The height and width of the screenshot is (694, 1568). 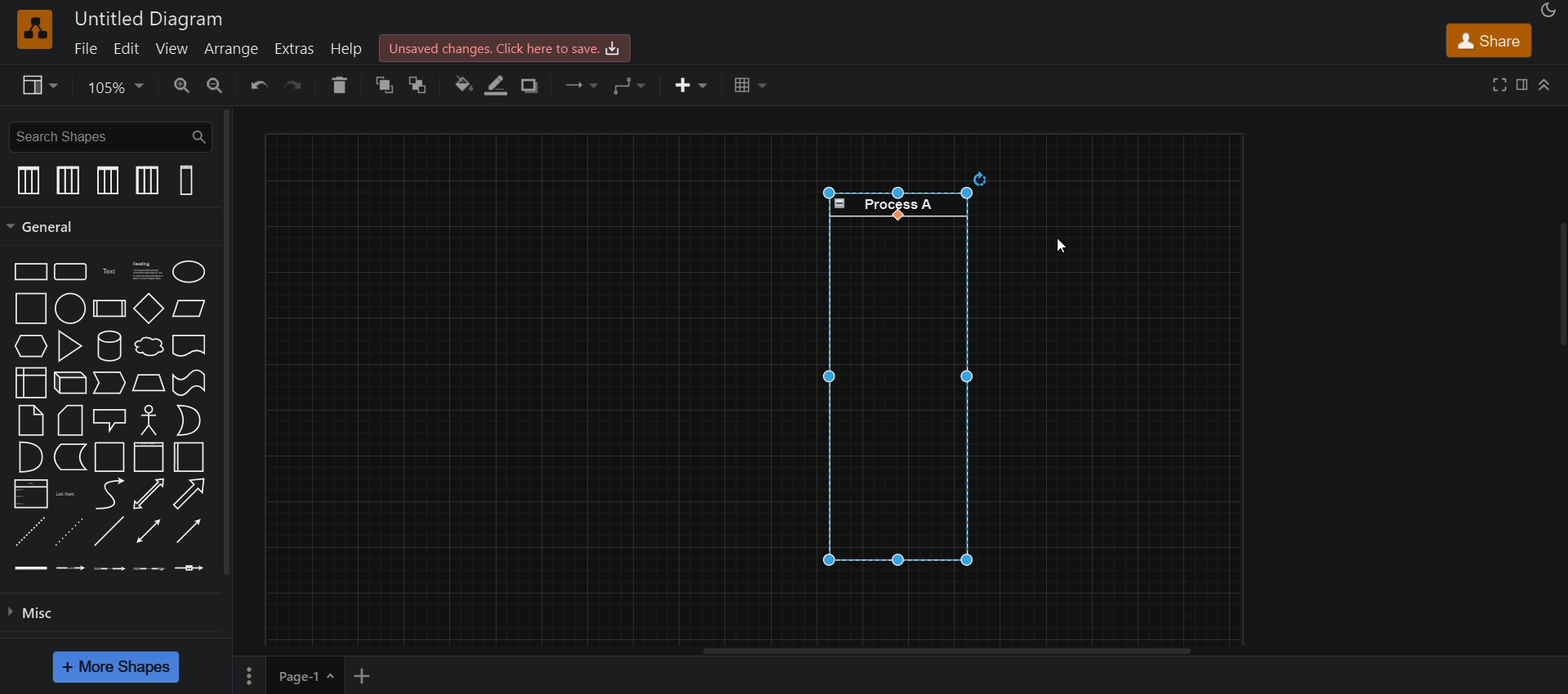 I want to click on card, so click(x=69, y=421).